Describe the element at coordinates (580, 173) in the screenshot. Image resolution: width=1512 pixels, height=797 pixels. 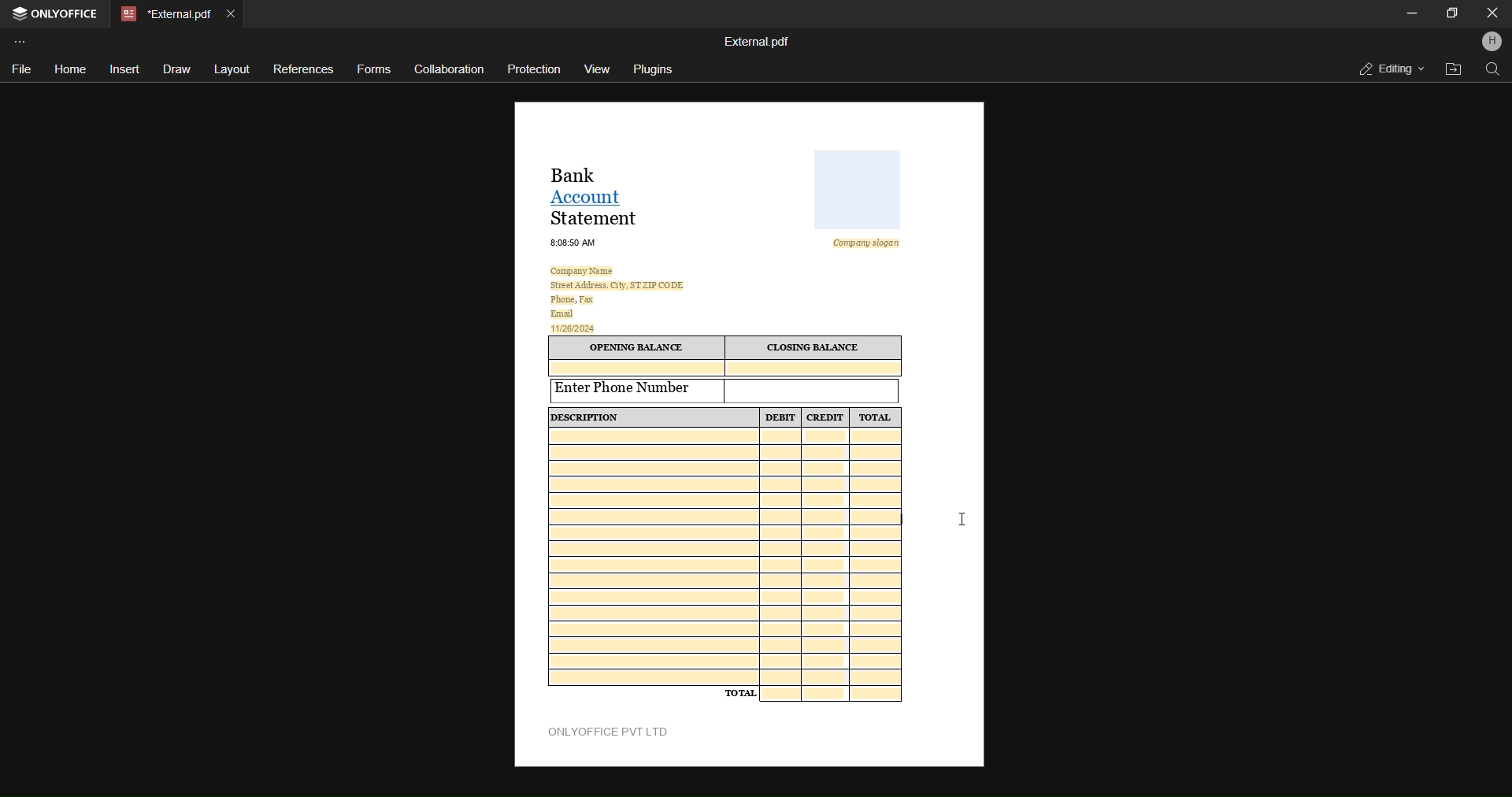
I see `Bank` at that location.